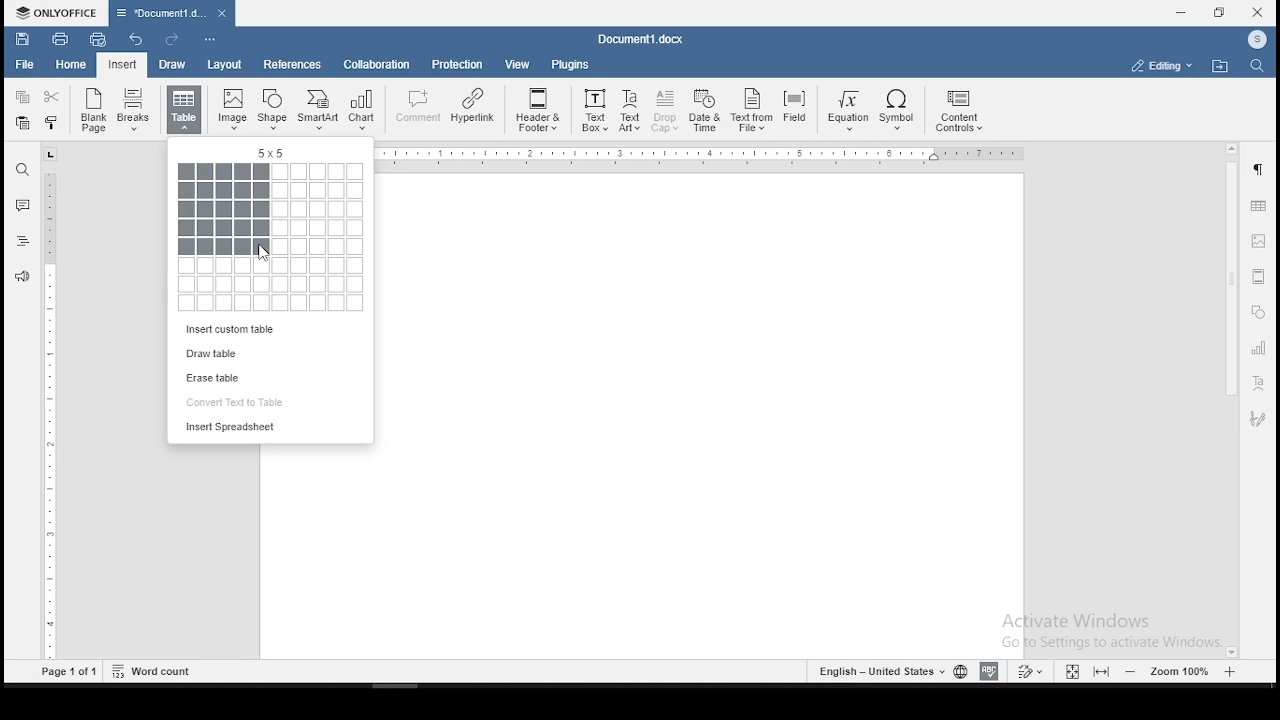 This screenshot has width=1280, height=720. What do you see at coordinates (273, 376) in the screenshot?
I see `erase table` at bounding box center [273, 376].